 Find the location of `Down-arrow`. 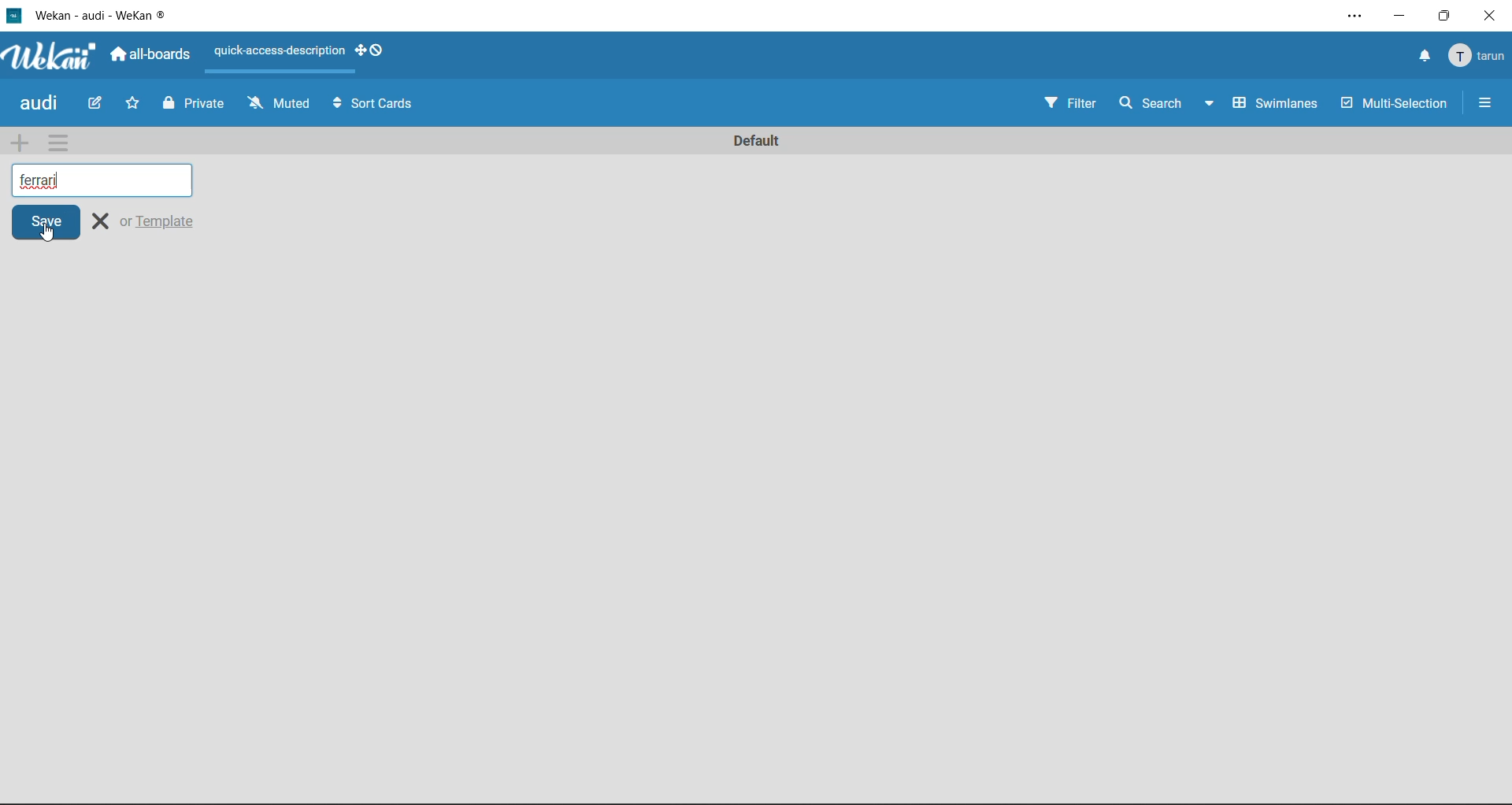

Down-arrow is located at coordinates (1211, 101).